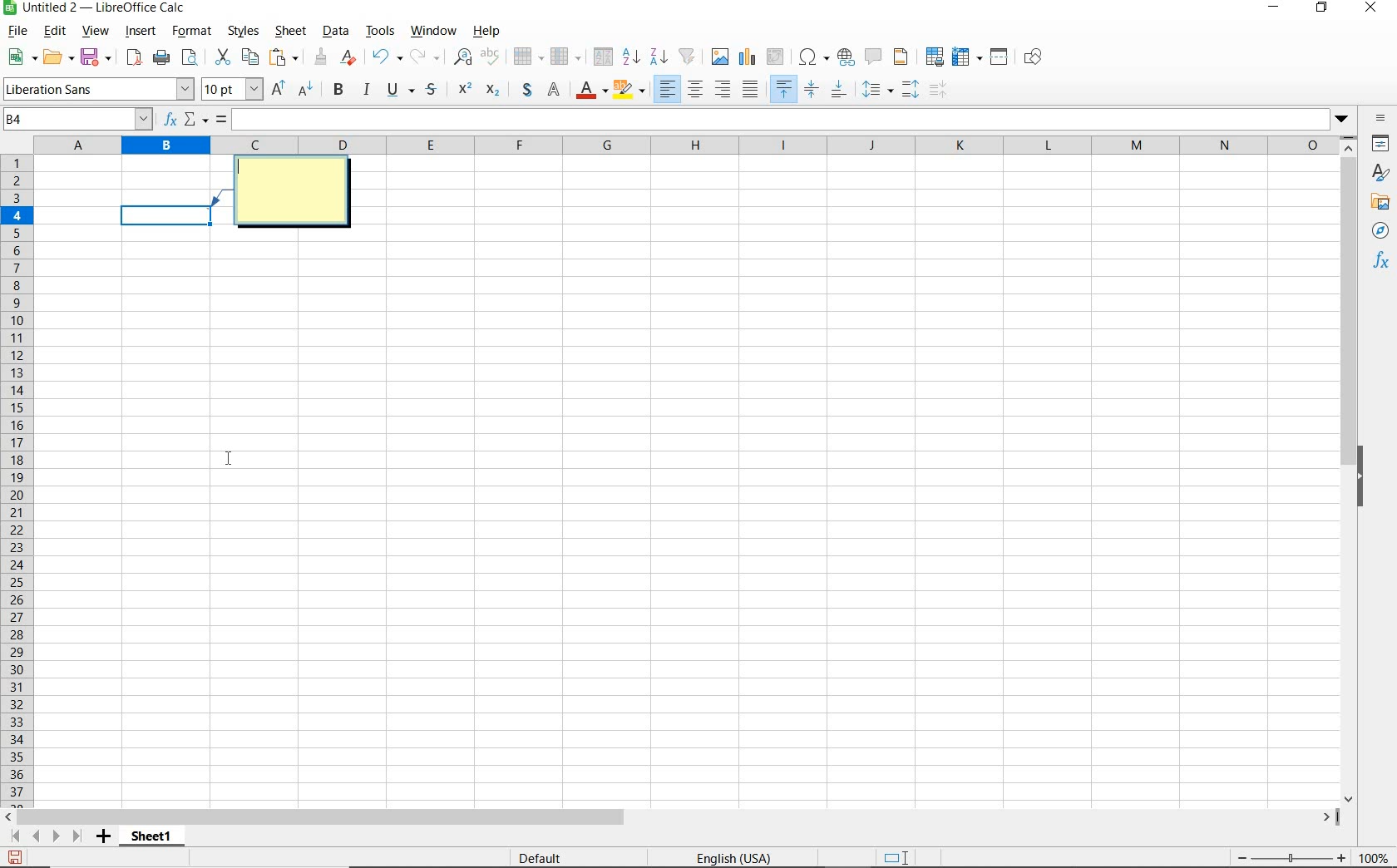 Image resolution: width=1397 pixels, height=868 pixels. What do you see at coordinates (751, 90) in the screenshot?
I see `align middle` at bounding box center [751, 90].